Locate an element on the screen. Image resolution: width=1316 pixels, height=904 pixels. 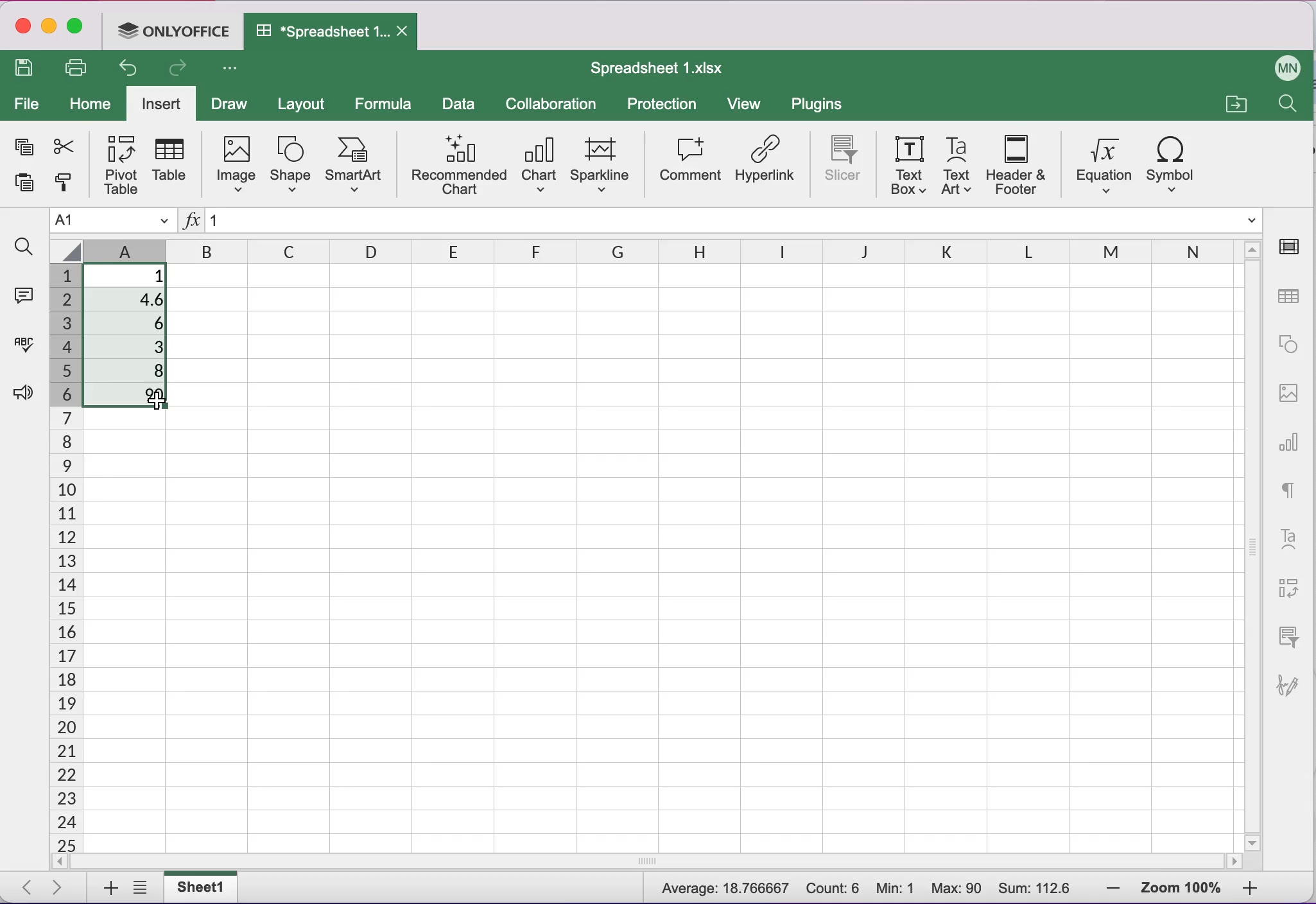
cells numbers is located at coordinates (62, 558).